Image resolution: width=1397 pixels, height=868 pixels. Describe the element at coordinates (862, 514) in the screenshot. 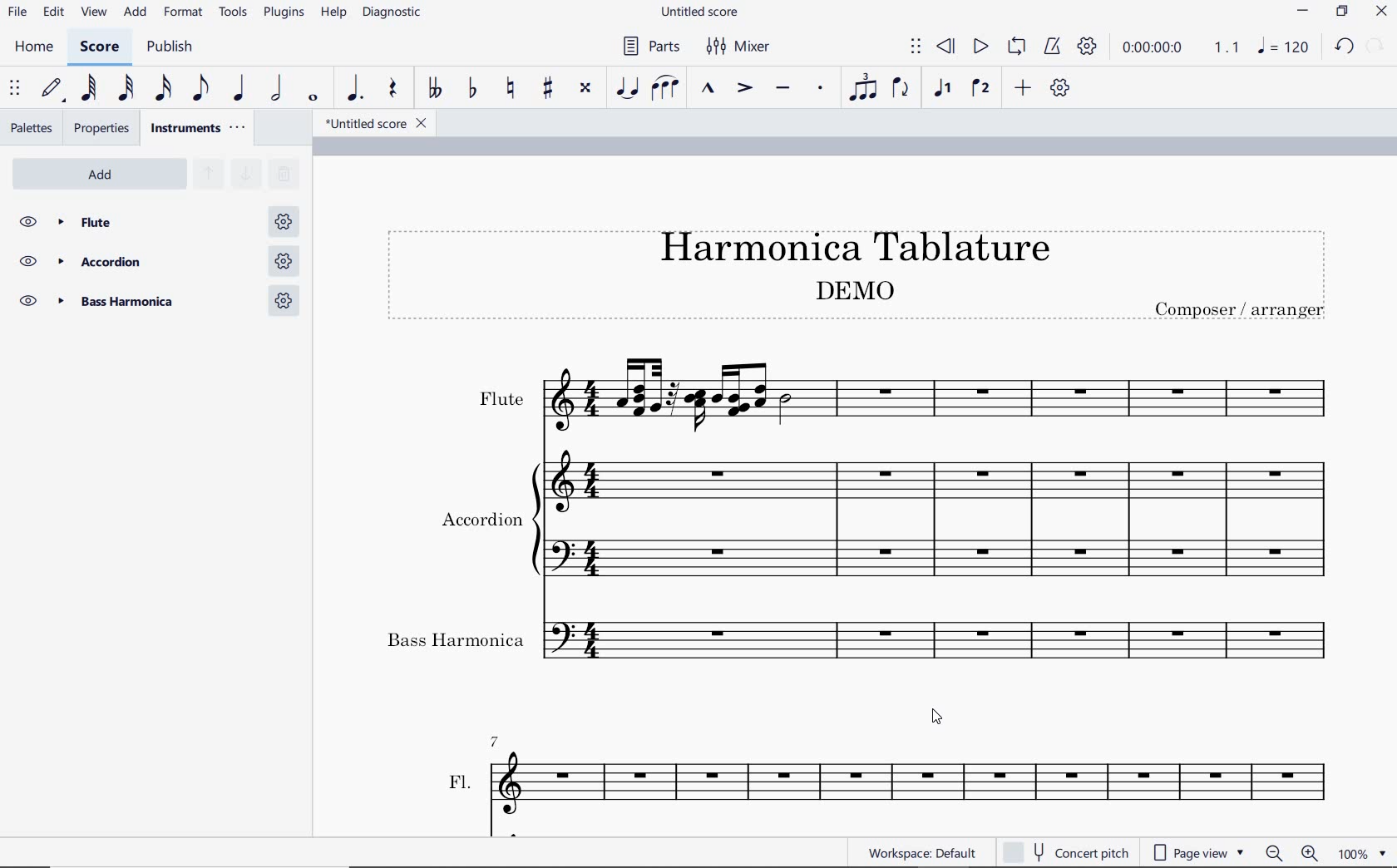

I see `Instrument: Accordion` at that location.